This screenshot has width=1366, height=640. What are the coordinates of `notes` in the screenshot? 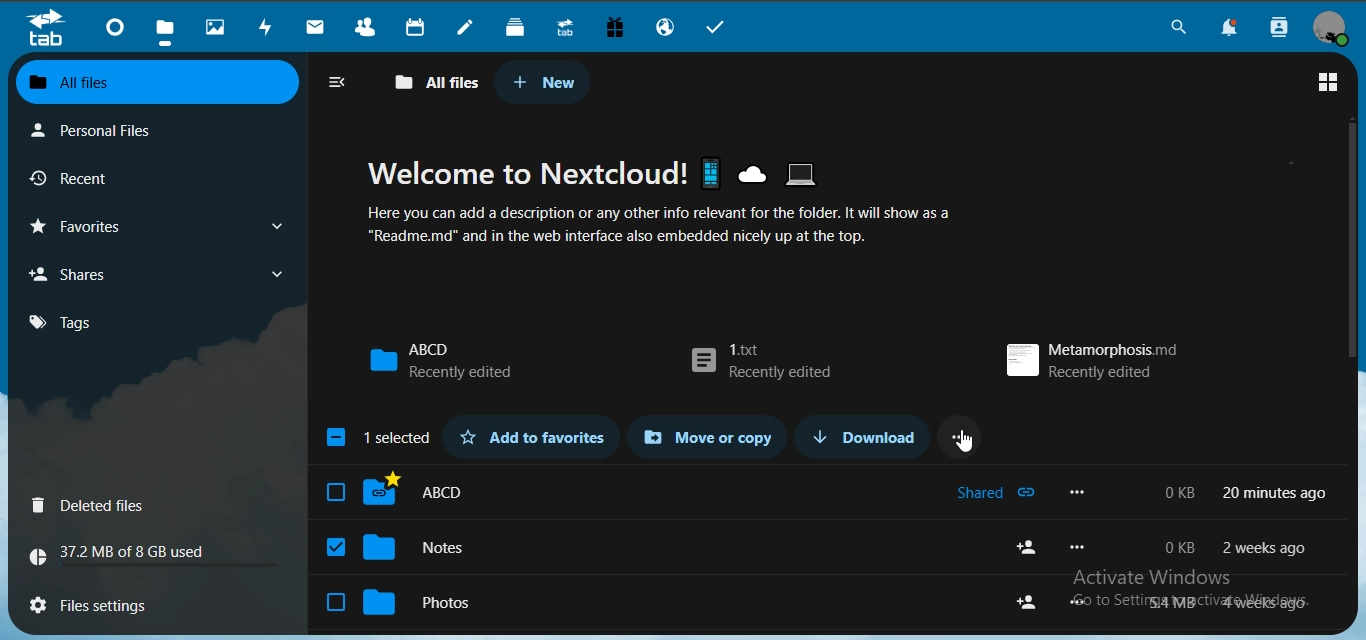 It's located at (410, 549).